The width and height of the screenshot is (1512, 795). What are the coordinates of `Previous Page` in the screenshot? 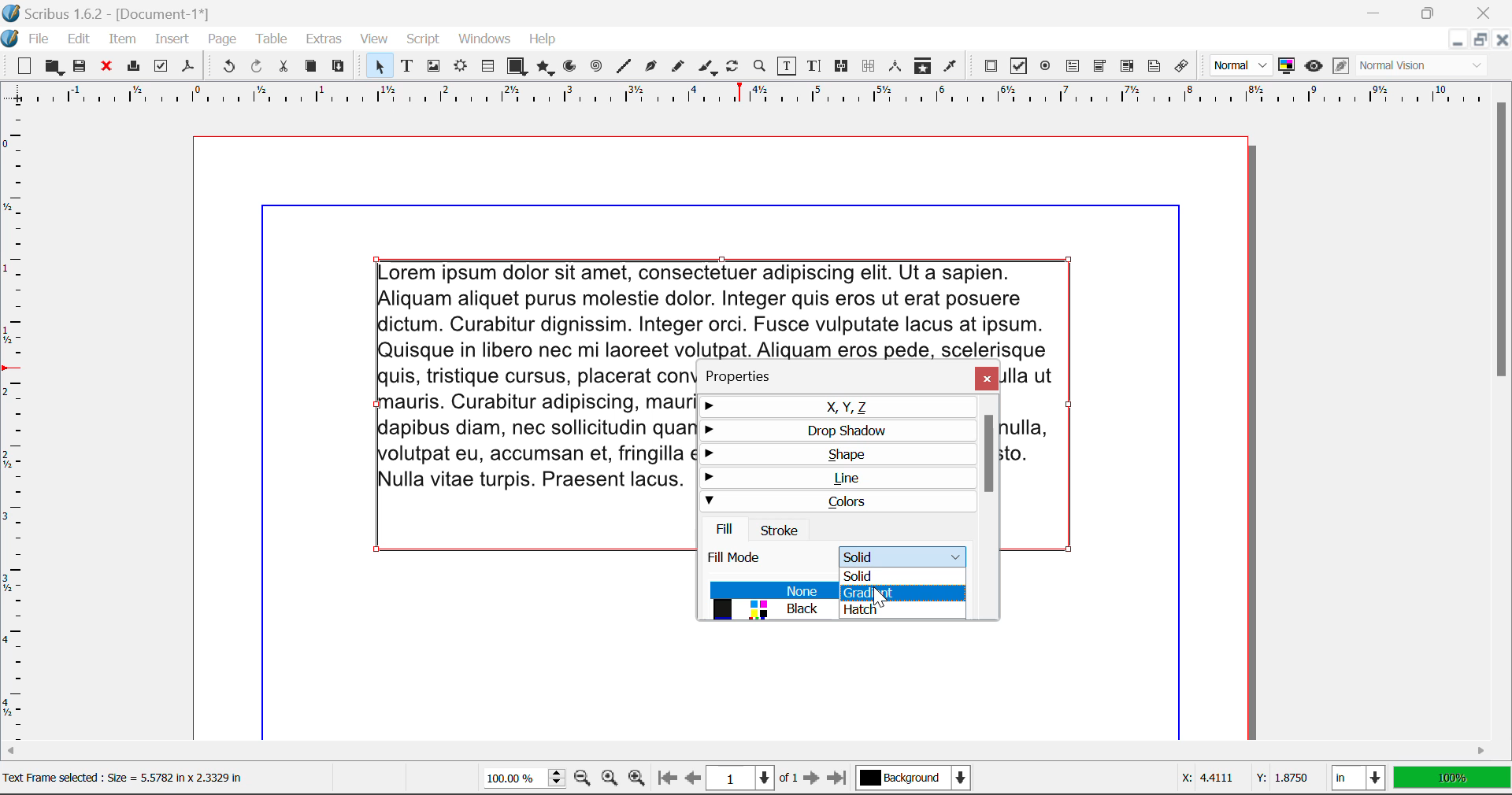 It's located at (693, 780).